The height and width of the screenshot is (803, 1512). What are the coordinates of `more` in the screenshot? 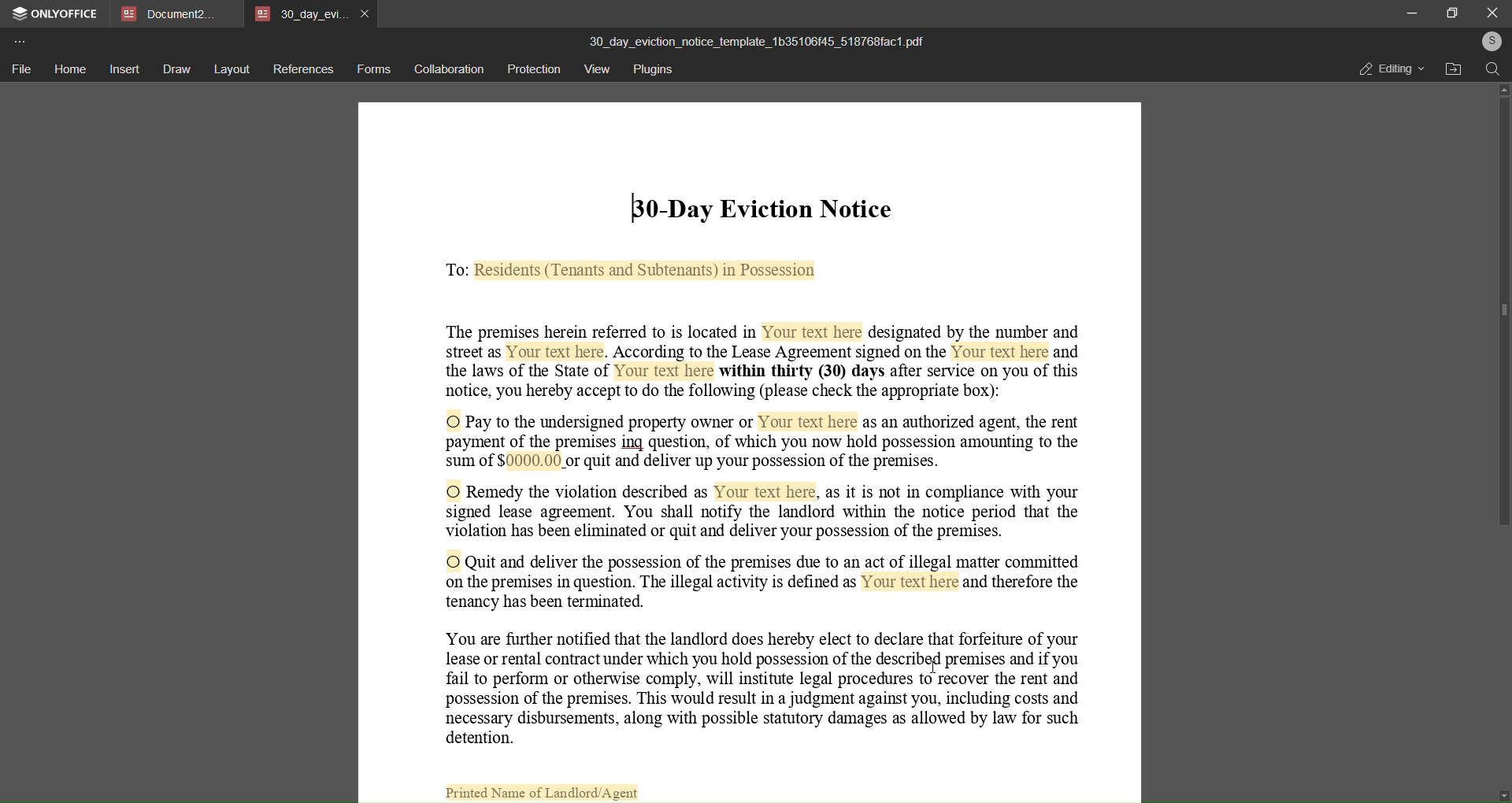 It's located at (19, 41).